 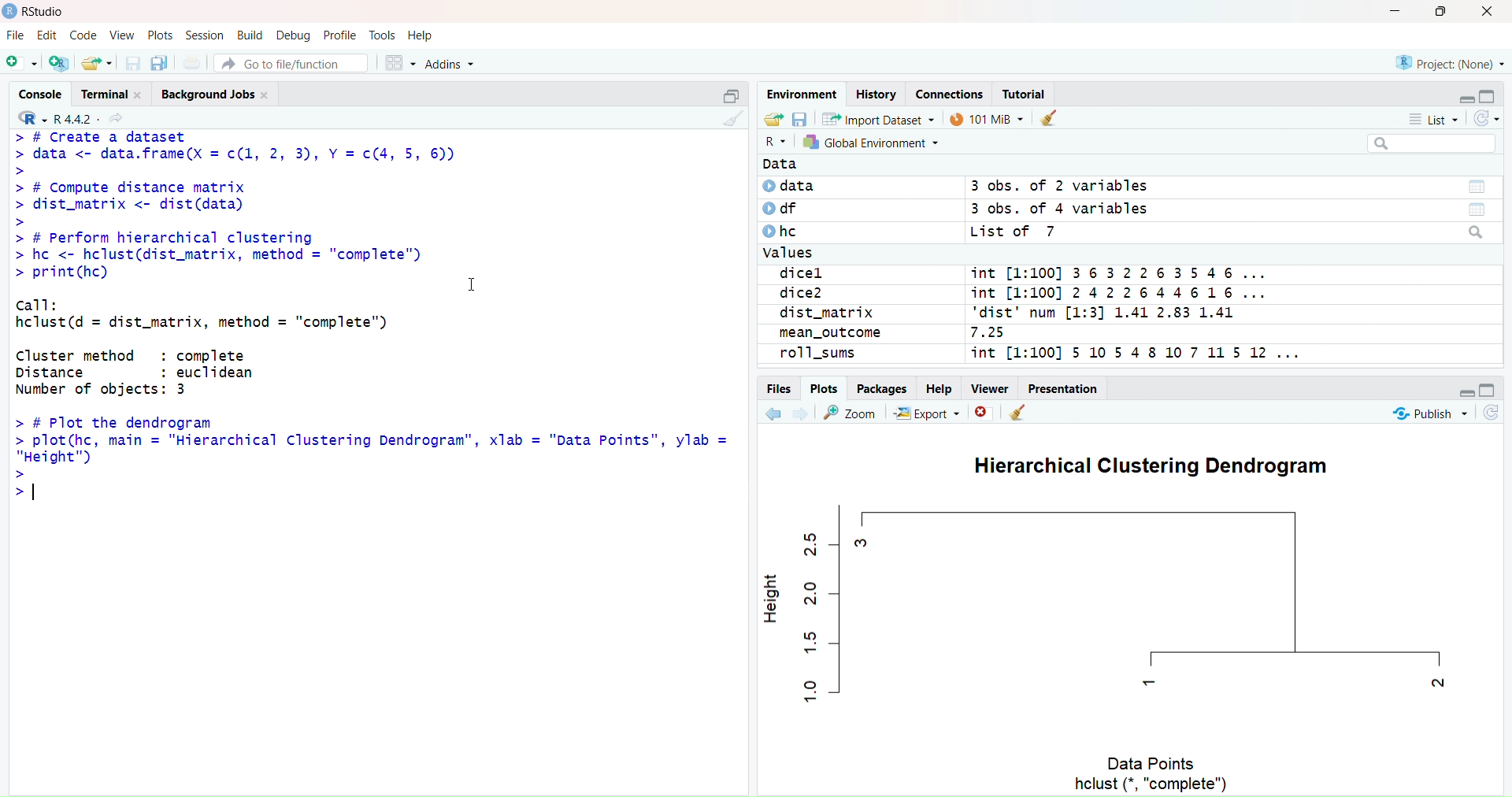 What do you see at coordinates (1492, 118) in the screenshot?
I see `Refresh the list of objects in the environment` at bounding box center [1492, 118].